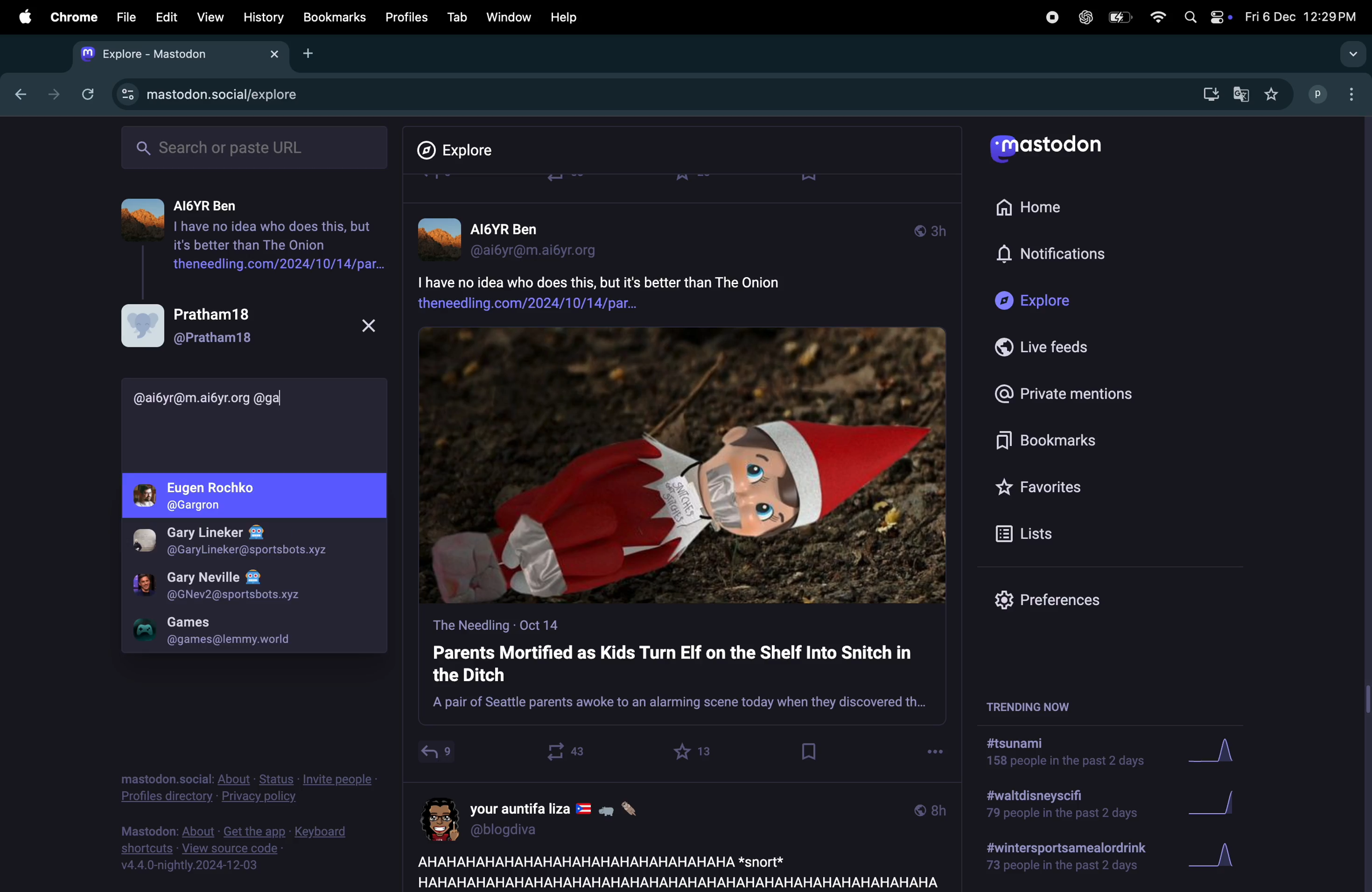  I want to click on prfole, so click(246, 543).